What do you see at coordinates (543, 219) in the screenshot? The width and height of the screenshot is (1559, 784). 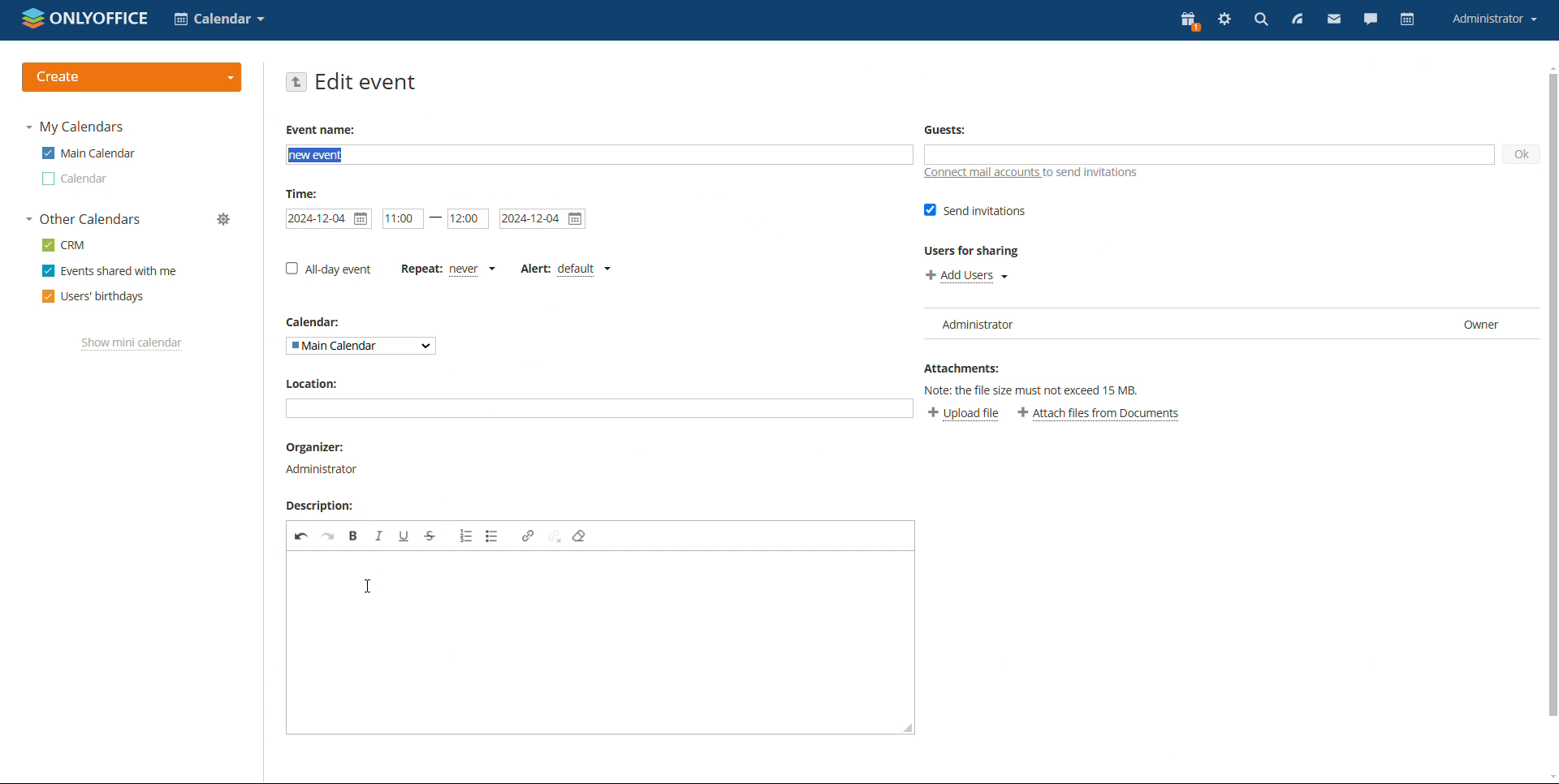 I see `end date` at bounding box center [543, 219].